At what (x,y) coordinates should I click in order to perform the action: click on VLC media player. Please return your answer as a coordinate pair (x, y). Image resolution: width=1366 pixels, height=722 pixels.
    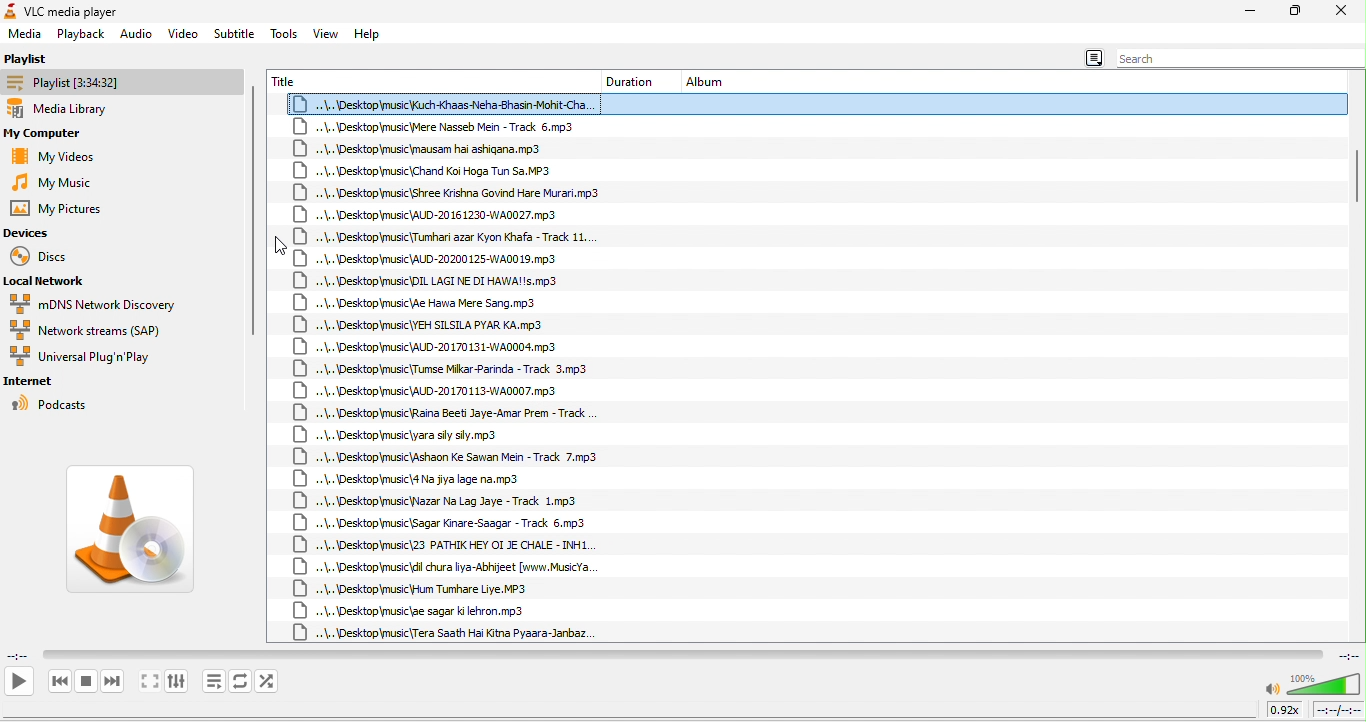
    Looking at the image, I should click on (84, 10).